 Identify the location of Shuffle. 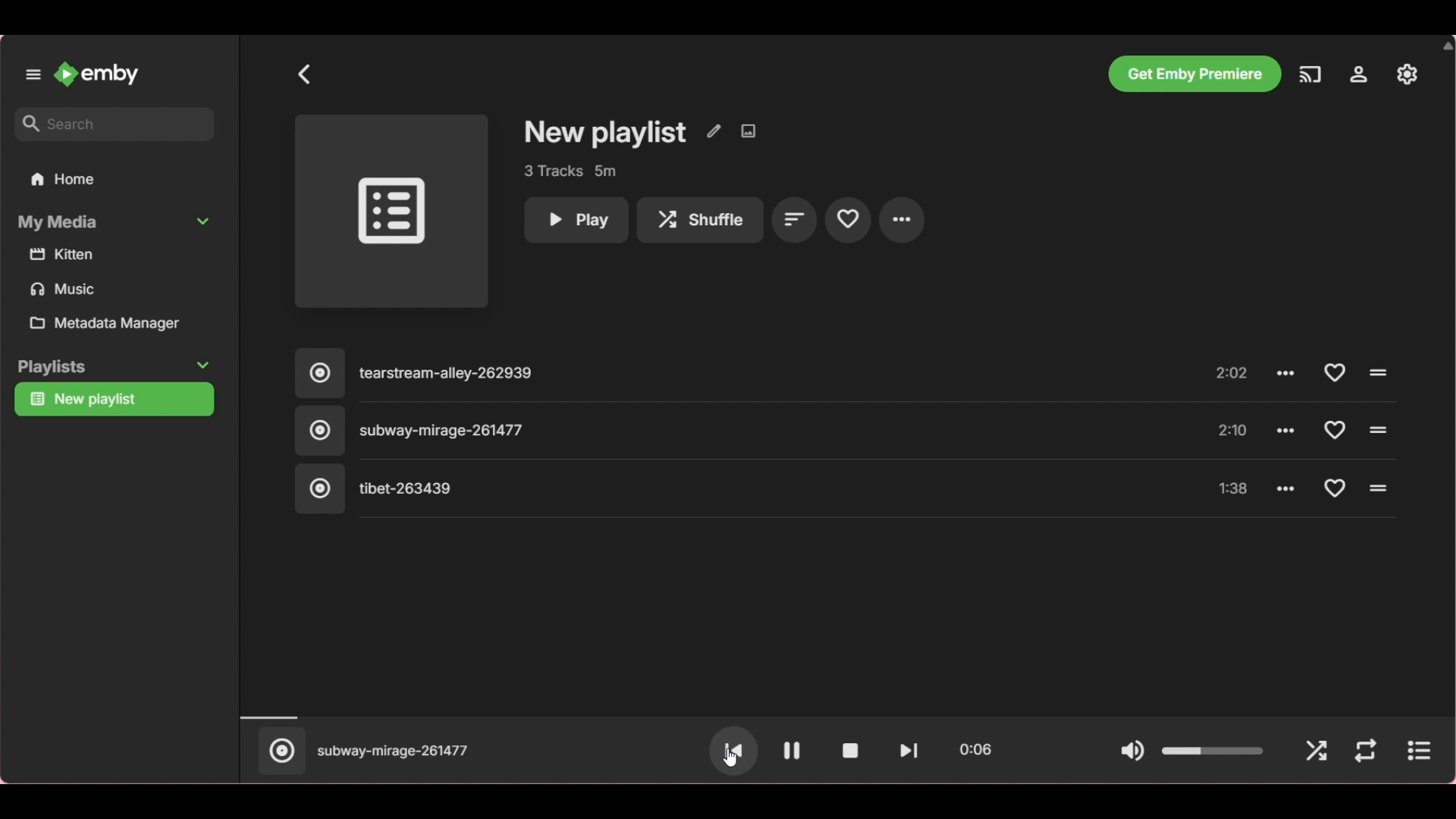
(1316, 752).